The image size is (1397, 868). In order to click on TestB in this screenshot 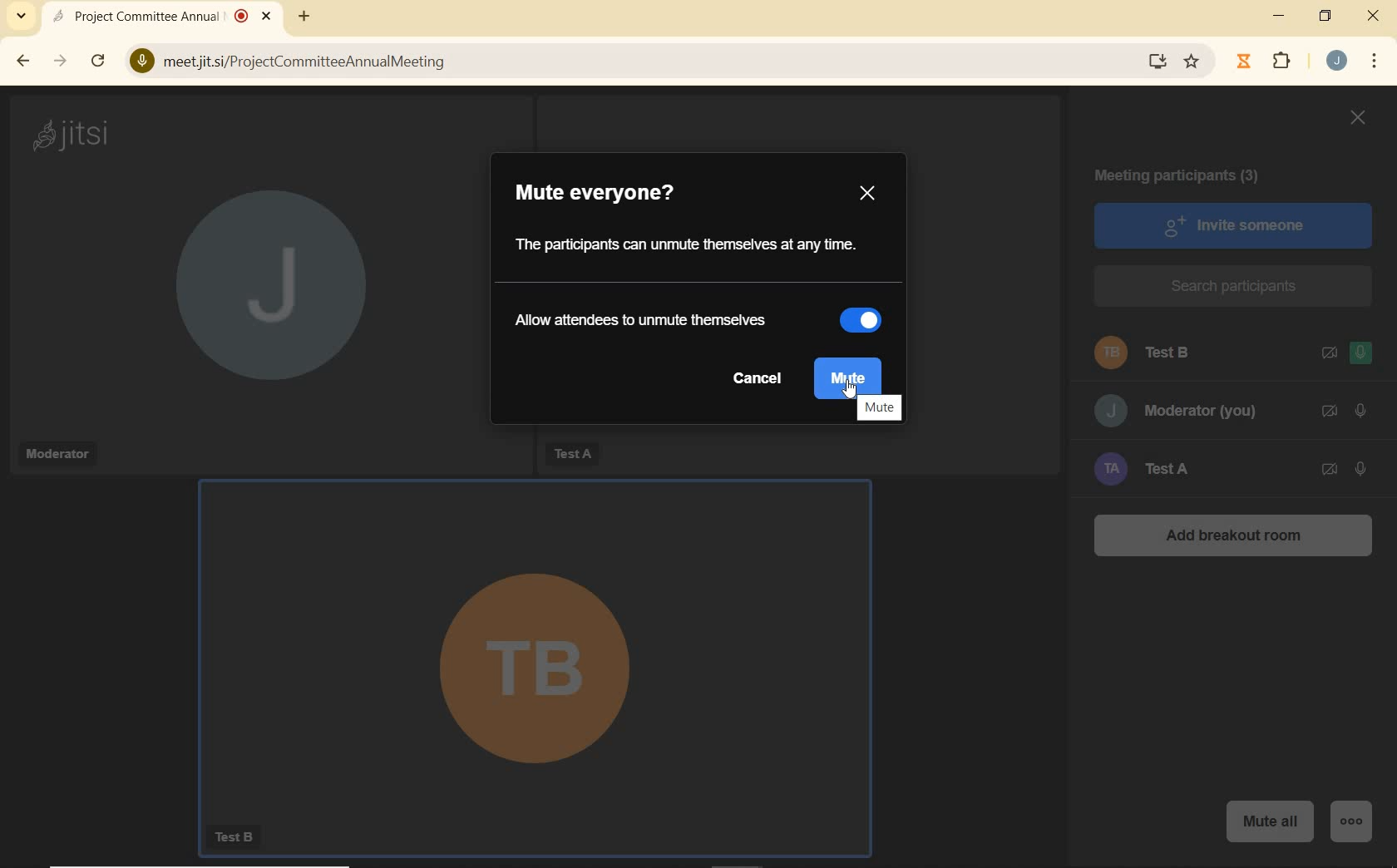, I will do `click(239, 838)`.